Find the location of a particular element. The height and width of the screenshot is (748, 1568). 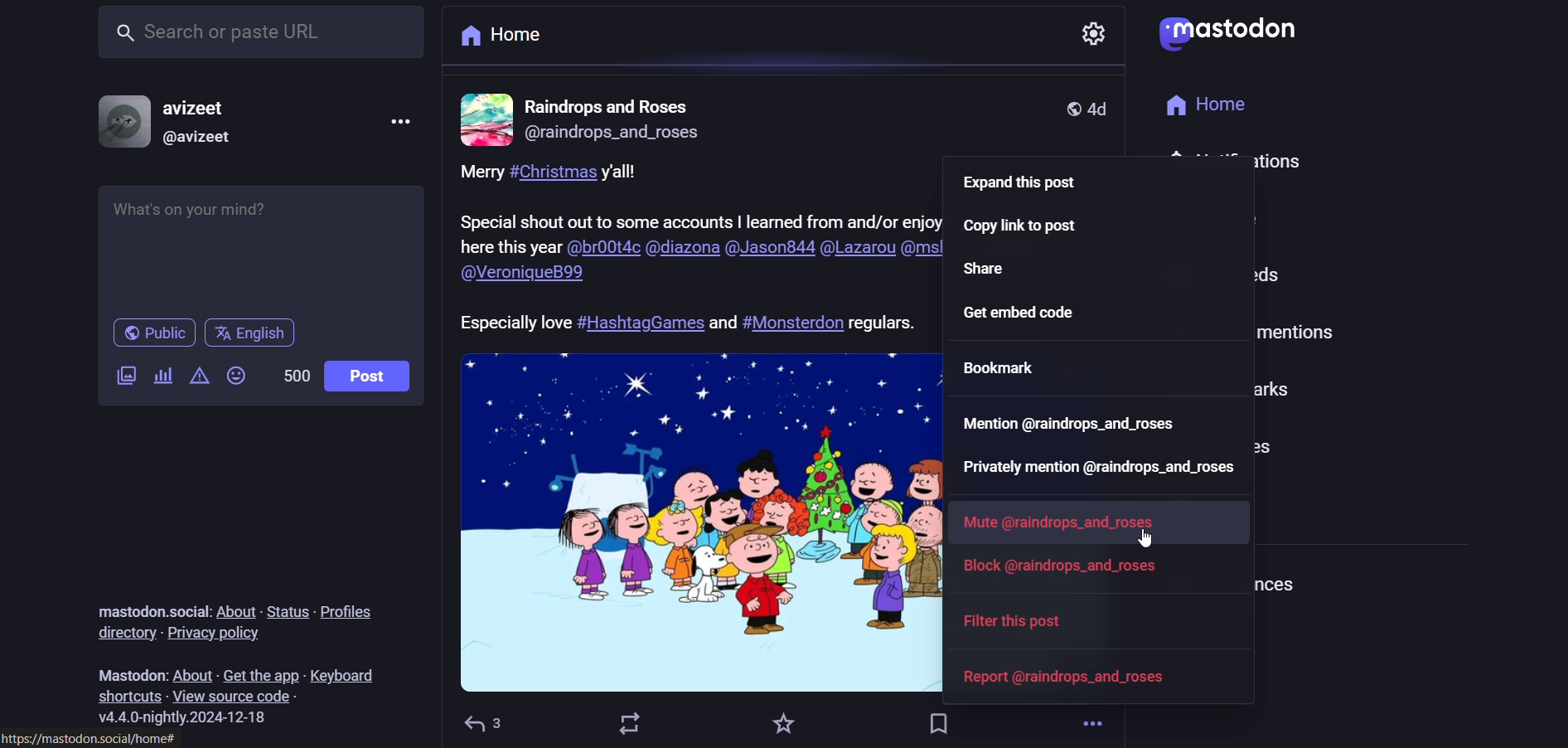

reply is located at coordinates (487, 719).